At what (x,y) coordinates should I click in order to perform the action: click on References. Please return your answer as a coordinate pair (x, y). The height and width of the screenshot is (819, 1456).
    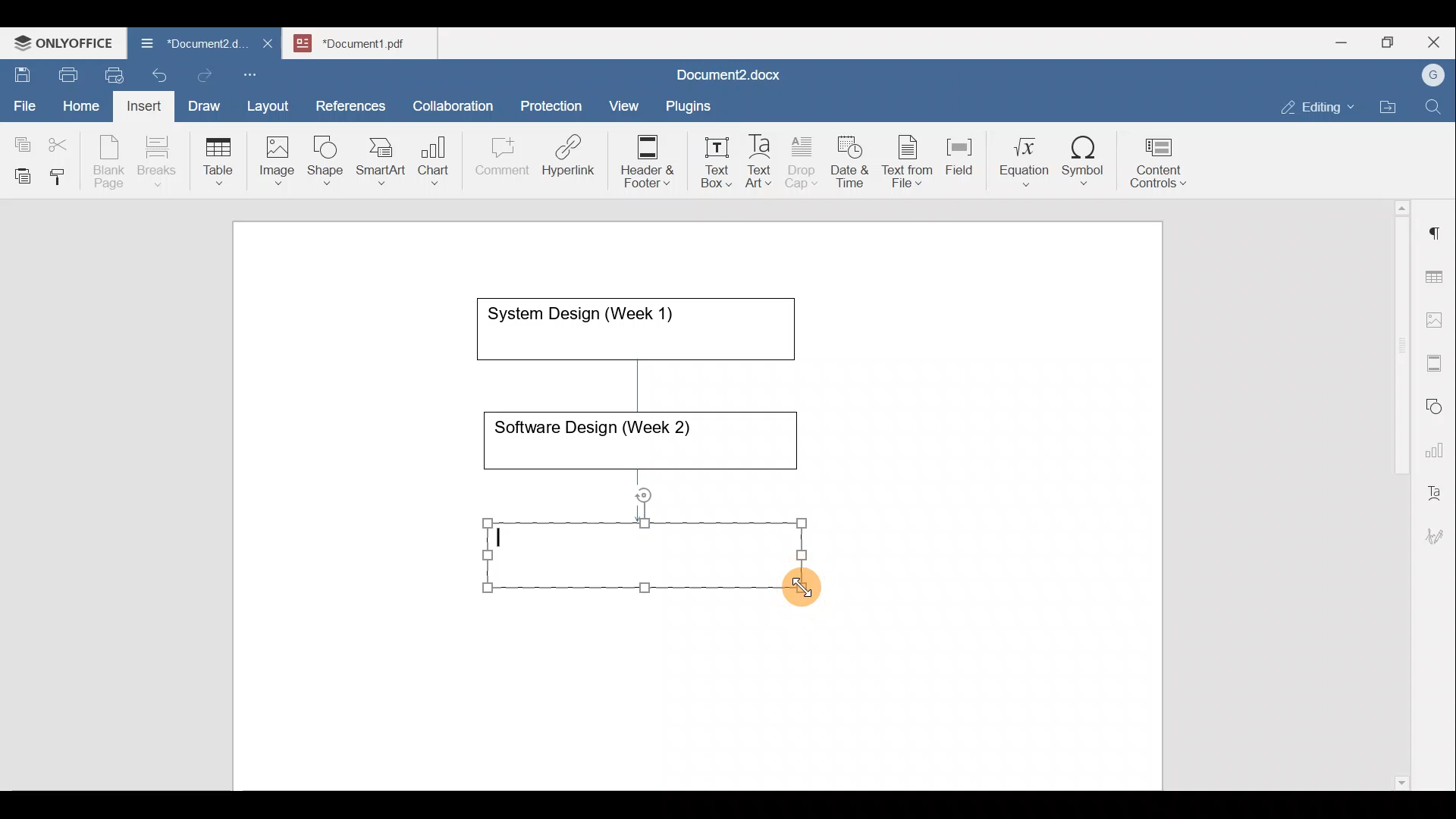
    Looking at the image, I should click on (350, 104).